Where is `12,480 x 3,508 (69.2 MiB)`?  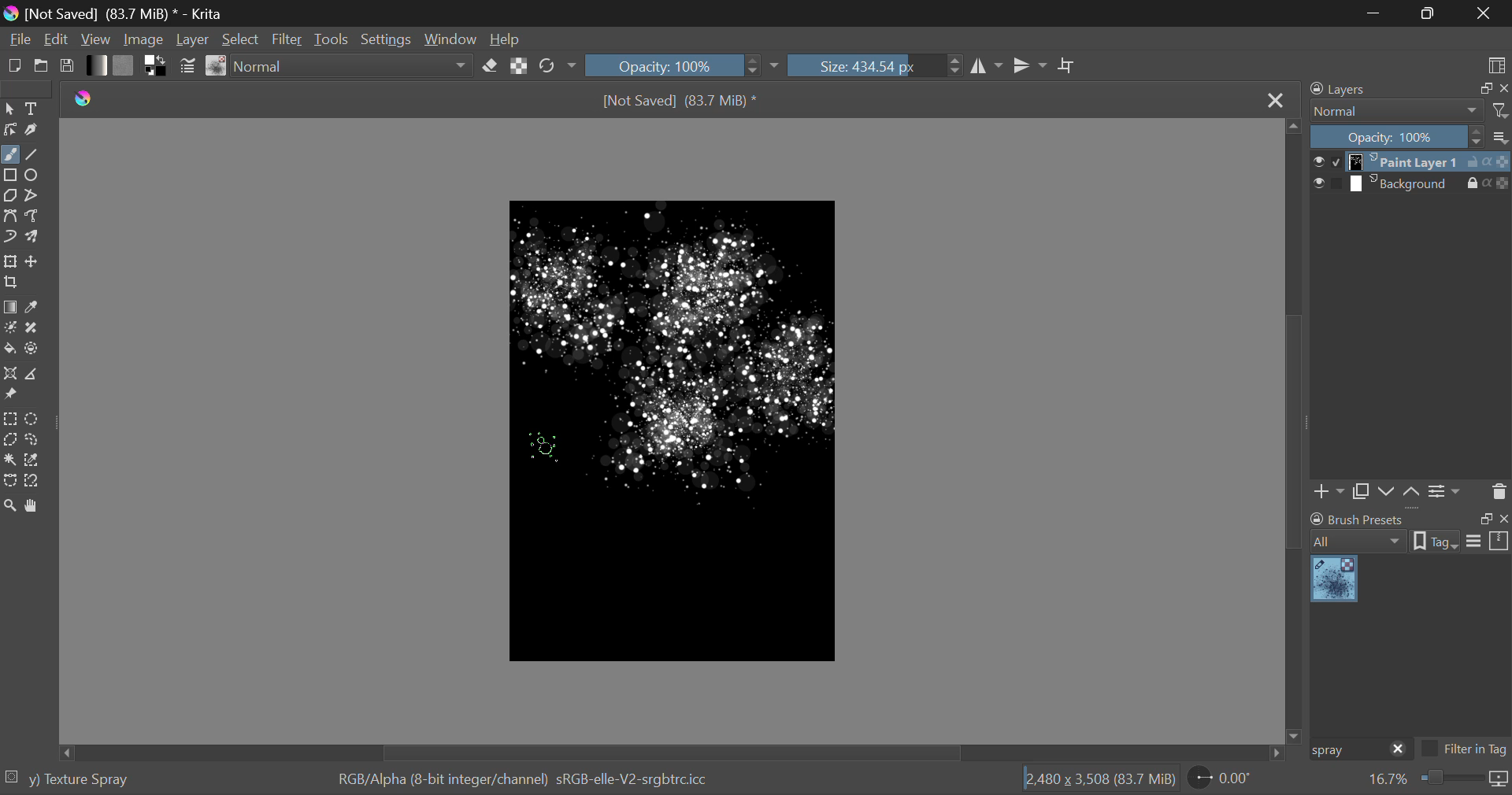 12,480 x 3,508 (69.2 MiB) is located at coordinates (1100, 778).